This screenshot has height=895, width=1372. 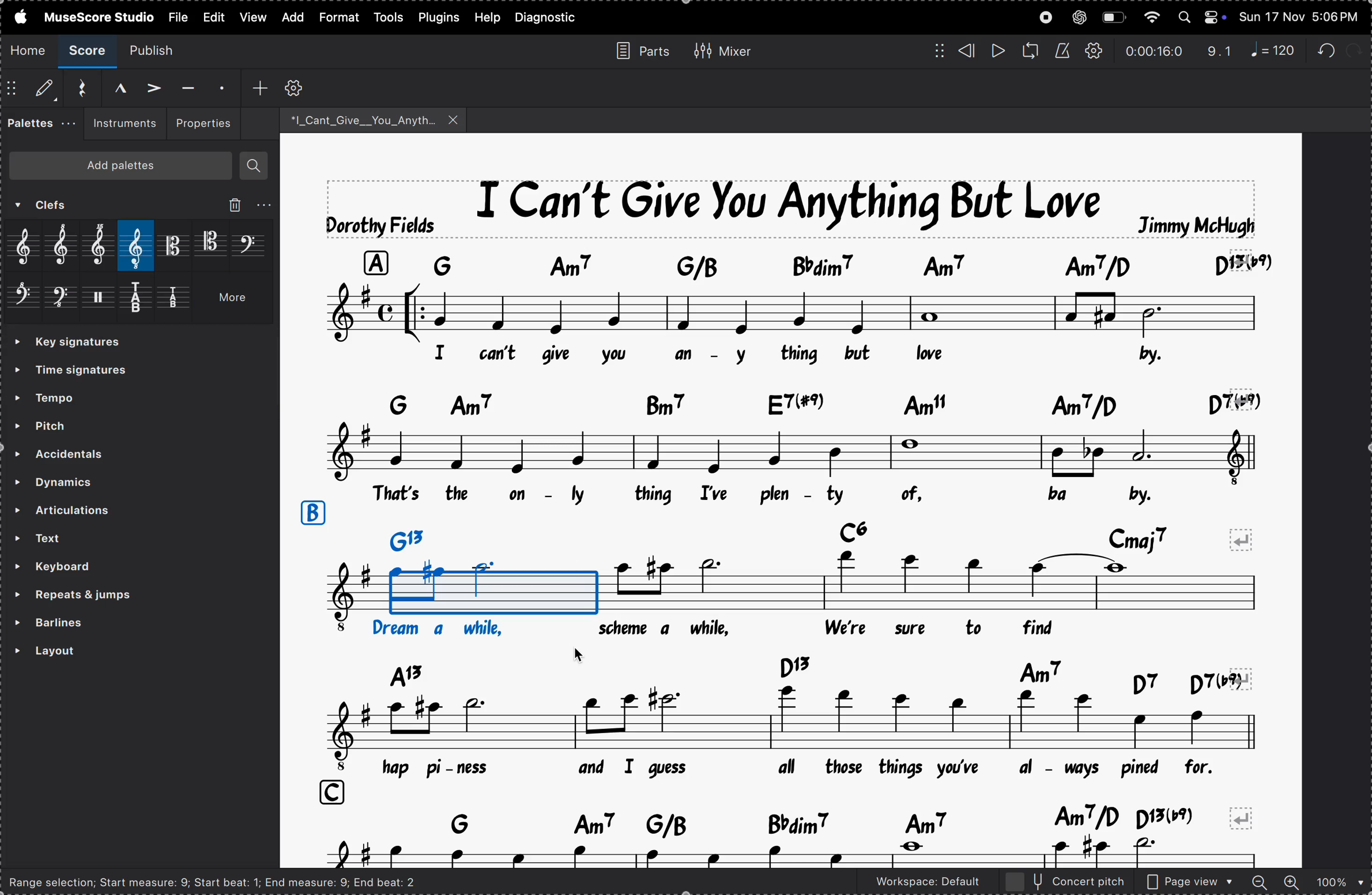 What do you see at coordinates (1154, 51) in the screenshot?
I see `time frame` at bounding box center [1154, 51].